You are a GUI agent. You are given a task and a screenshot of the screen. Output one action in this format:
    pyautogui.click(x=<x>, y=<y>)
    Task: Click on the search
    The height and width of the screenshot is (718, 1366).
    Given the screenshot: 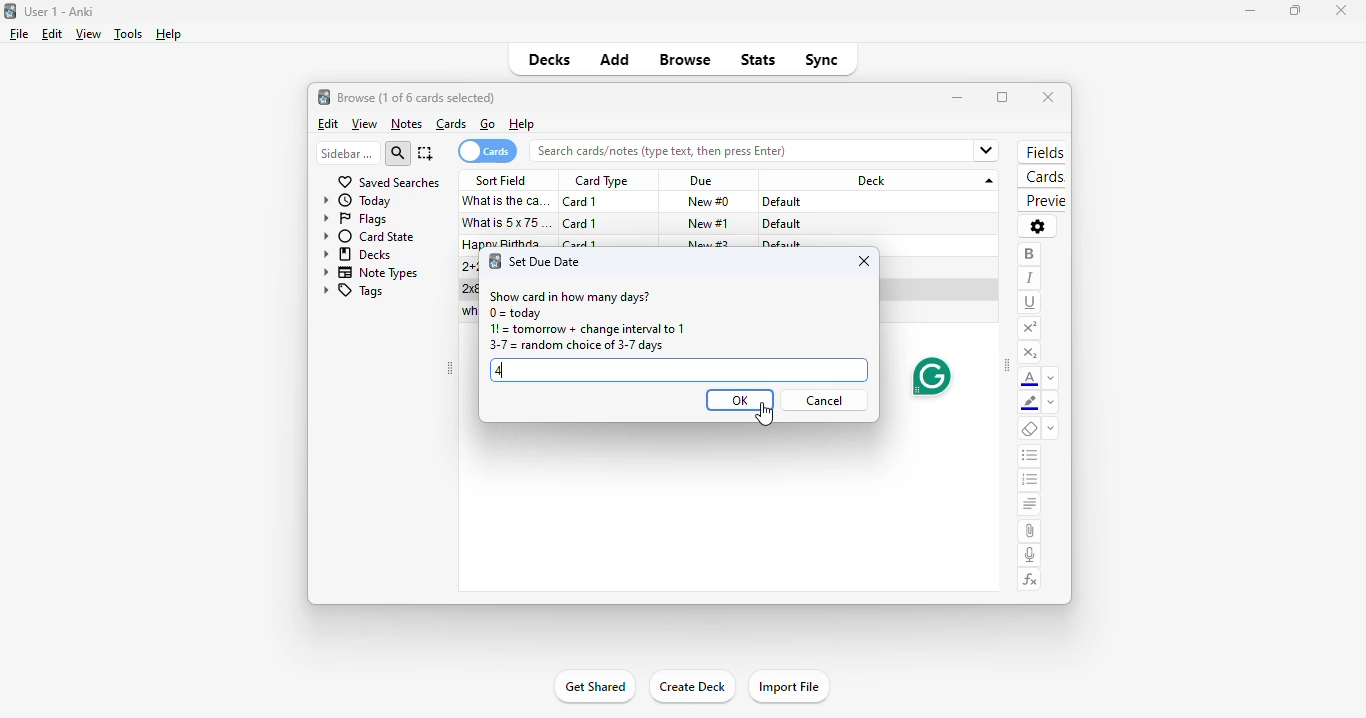 What is the action you would take?
    pyautogui.click(x=399, y=153)
    